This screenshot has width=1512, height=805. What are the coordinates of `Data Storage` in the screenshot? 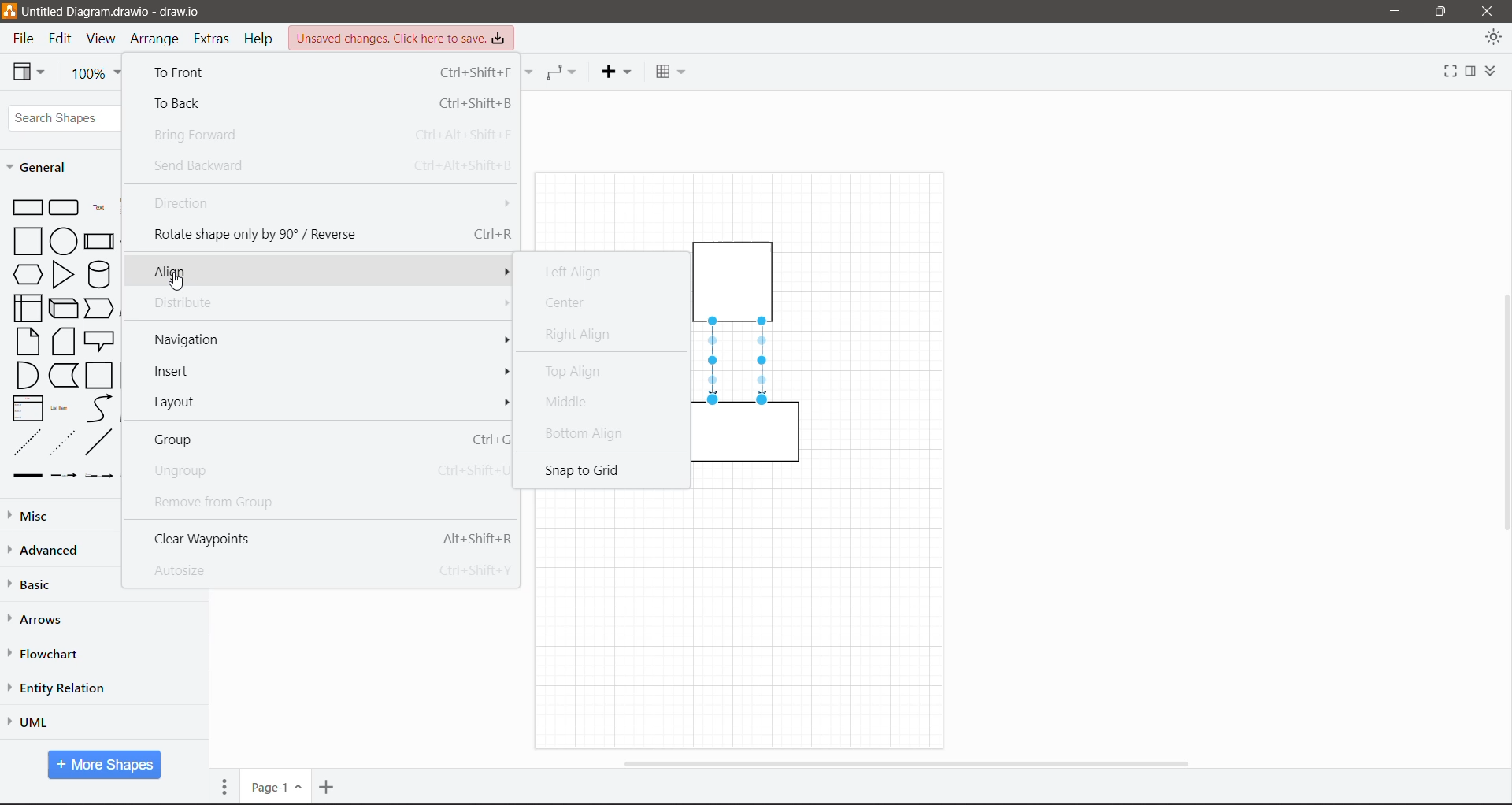 It's located at (62, 375).